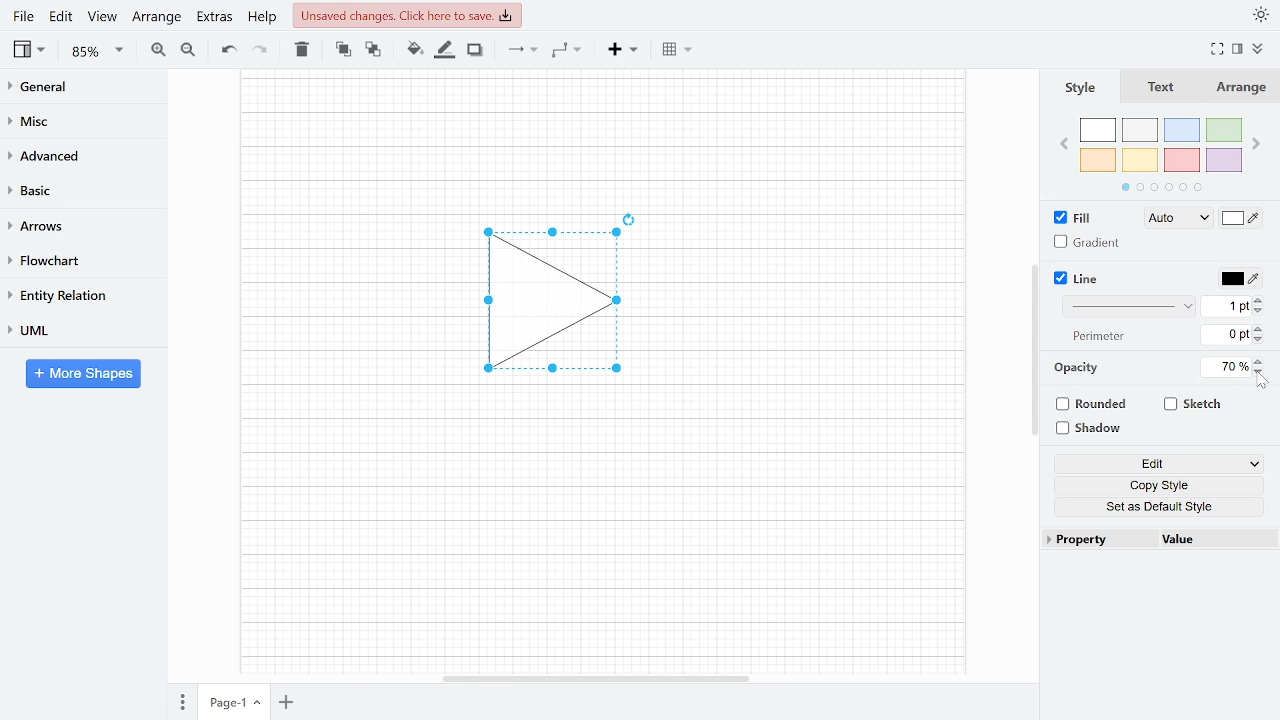 Image resolution: width=1280 pixels, height=720 pixels. Describe the element at coordinates (98, 51) in the screenshot. I see `Zoom` at that location.